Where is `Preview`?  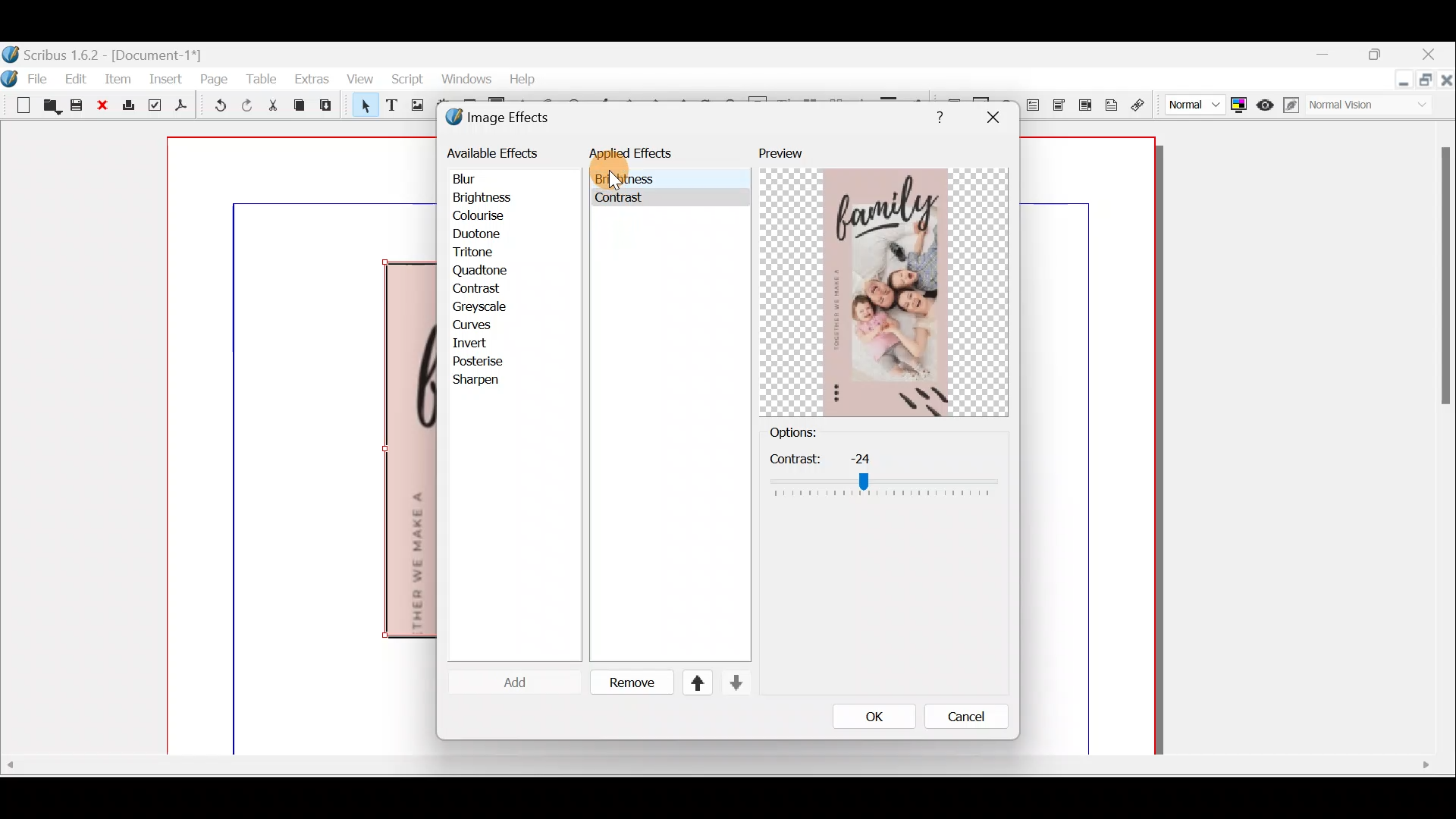 Preview is located at coordinates (883, 281).